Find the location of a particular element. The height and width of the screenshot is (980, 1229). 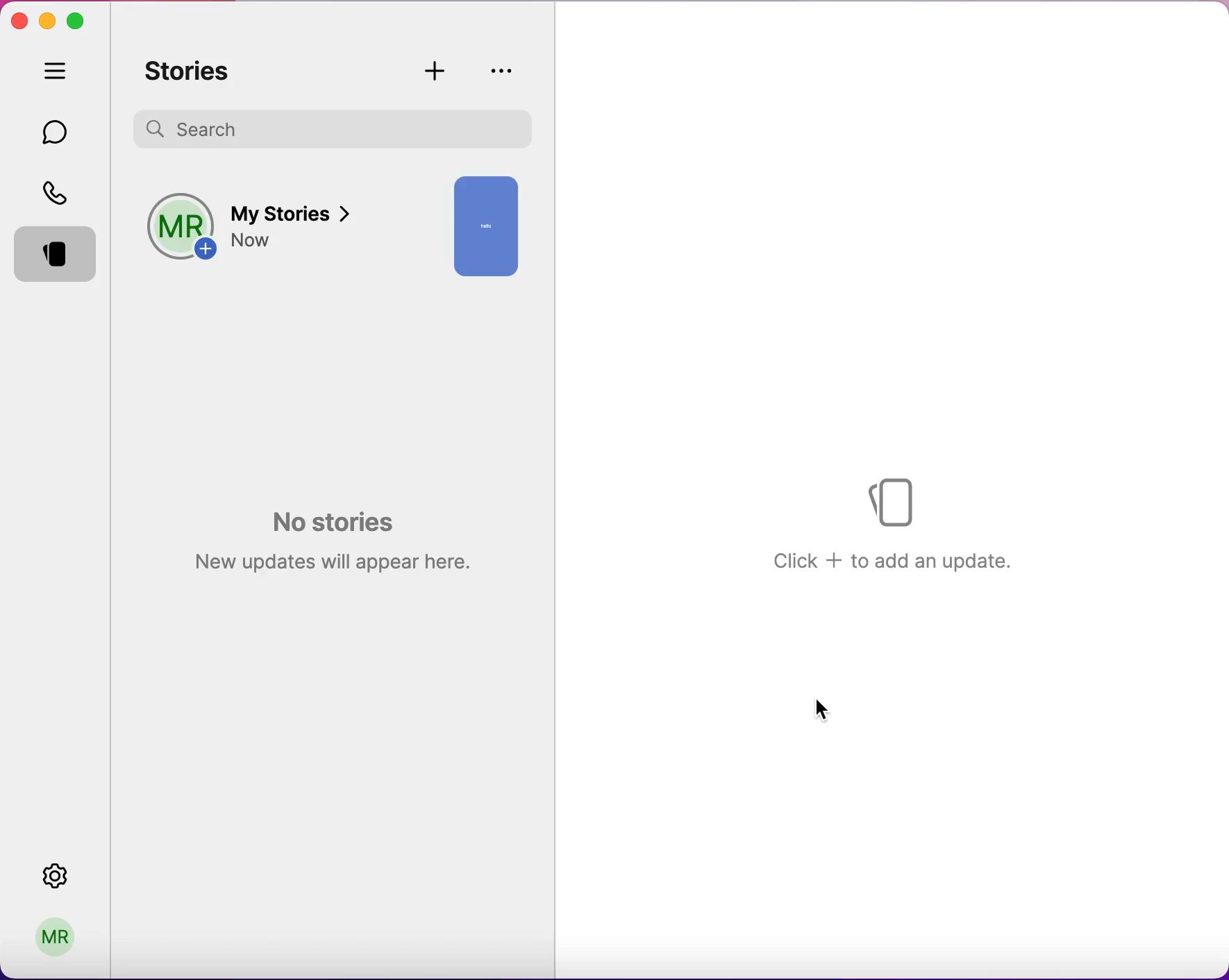

user is located at coordinates (60, 934).